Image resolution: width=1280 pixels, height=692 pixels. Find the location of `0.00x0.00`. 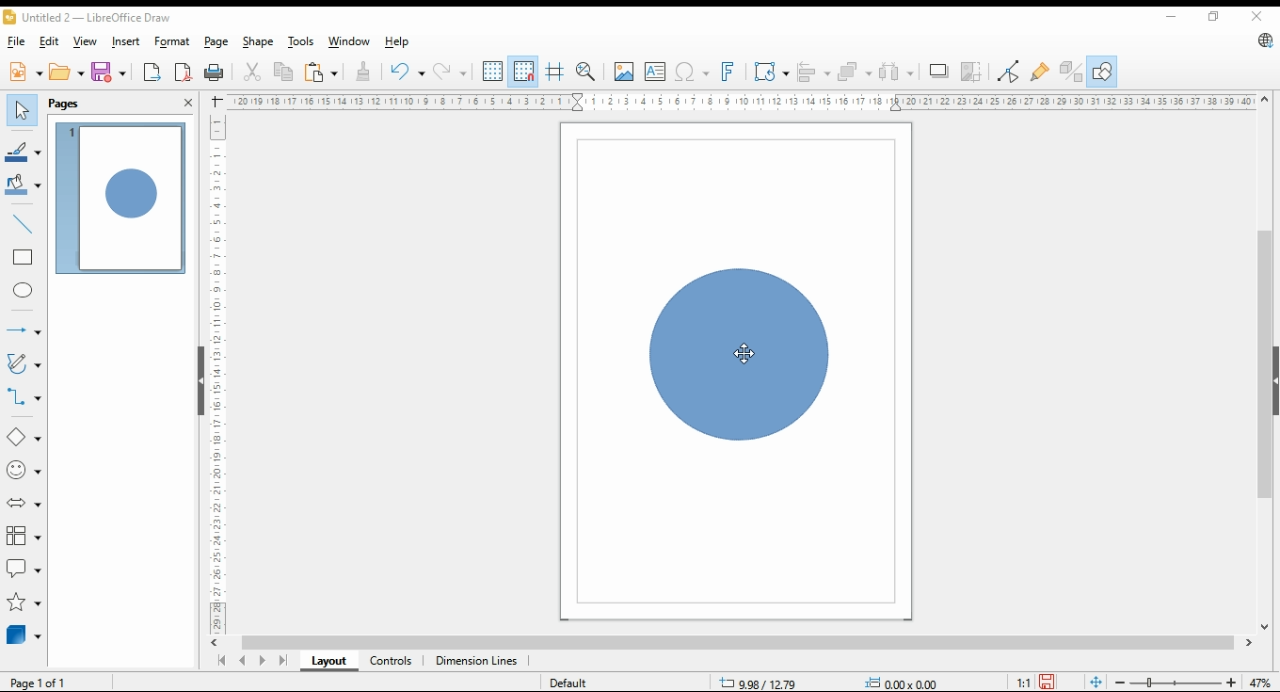

0.00x0.00 is located at coordinates (904, 683).